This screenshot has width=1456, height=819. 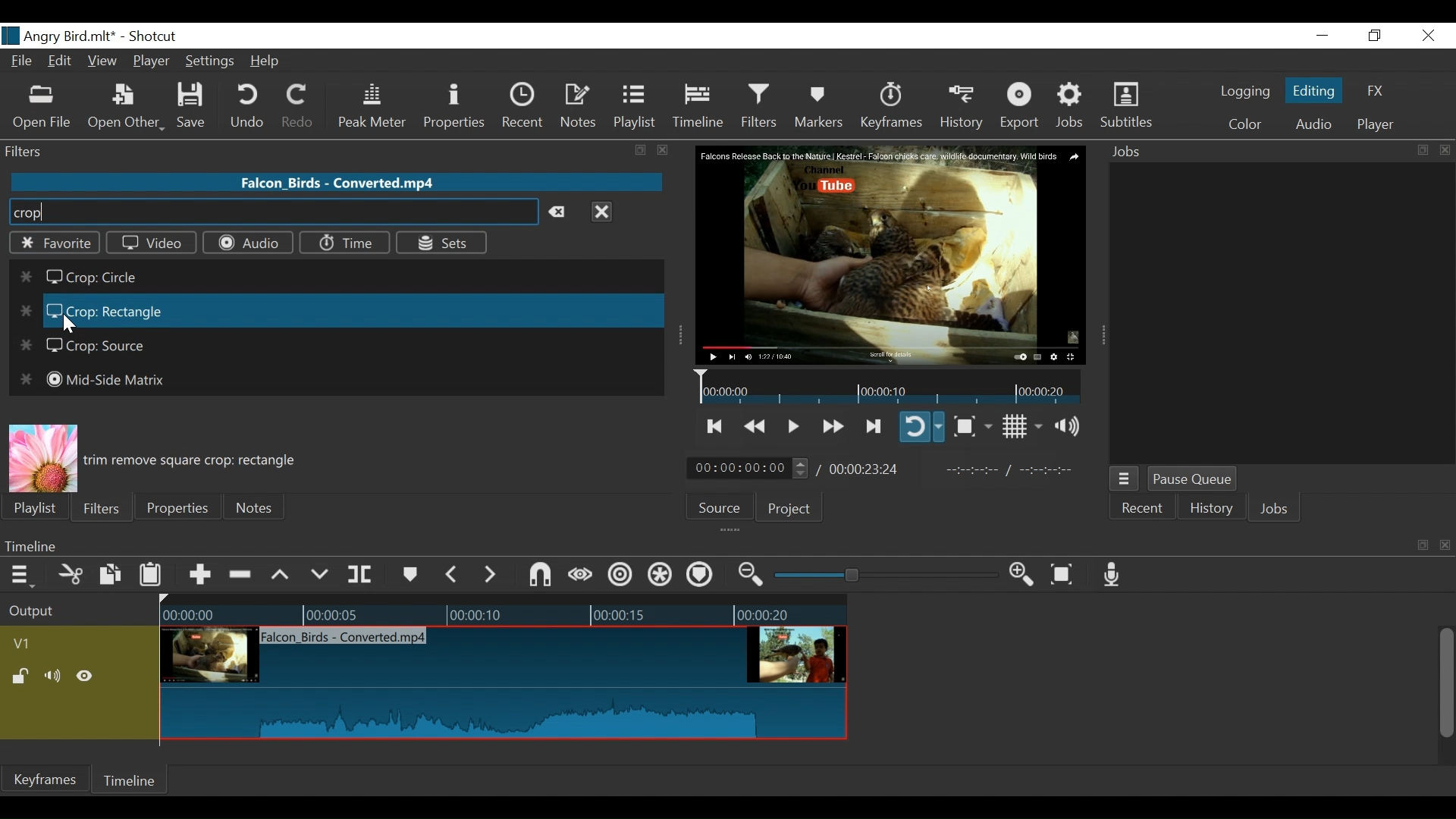 What do you see at coordinates (256, 507) in the screenshot?
I see `Notes` at bounding box center [256, 507].